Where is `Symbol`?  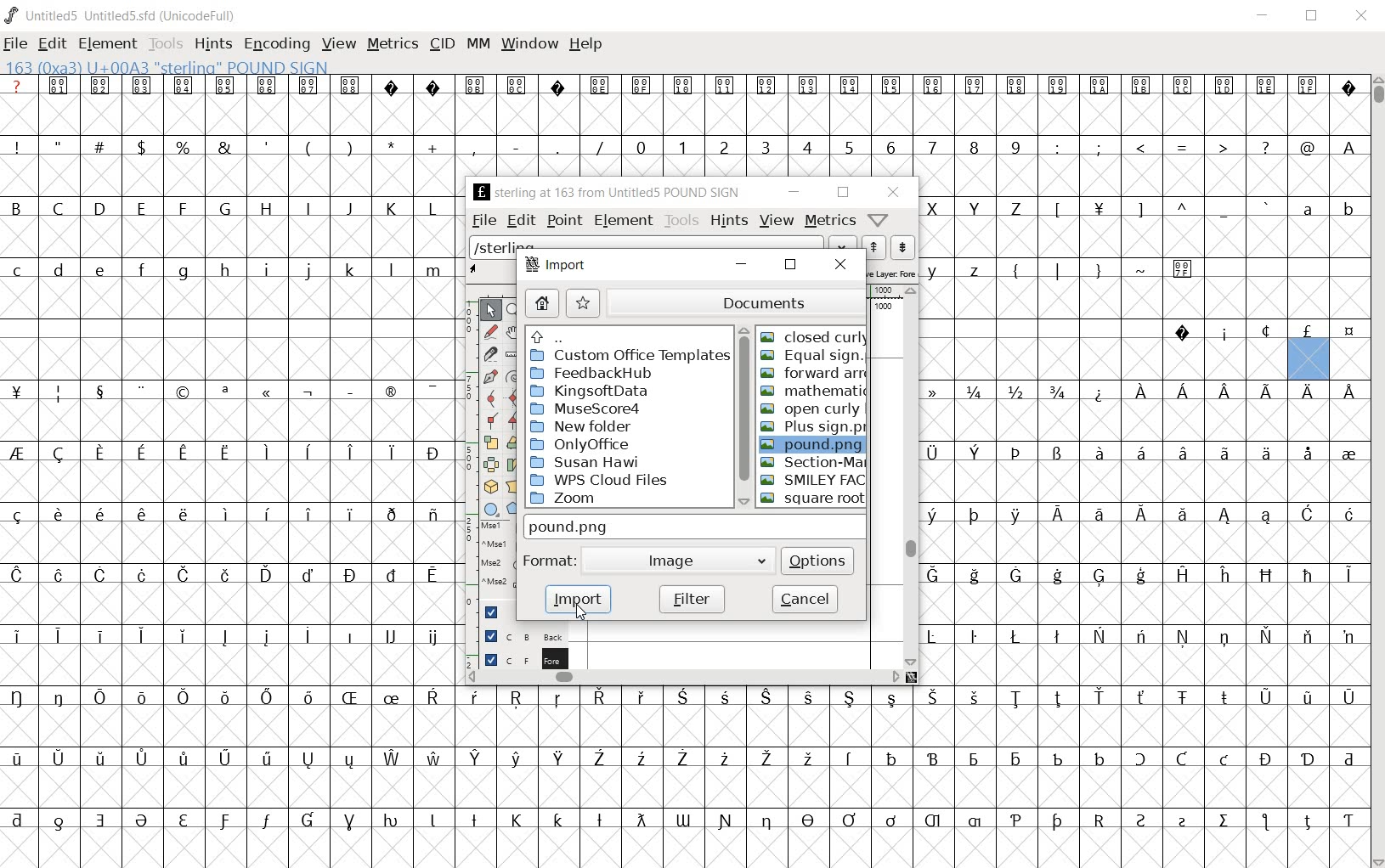 Symbol is located at coordinates (432, 821).